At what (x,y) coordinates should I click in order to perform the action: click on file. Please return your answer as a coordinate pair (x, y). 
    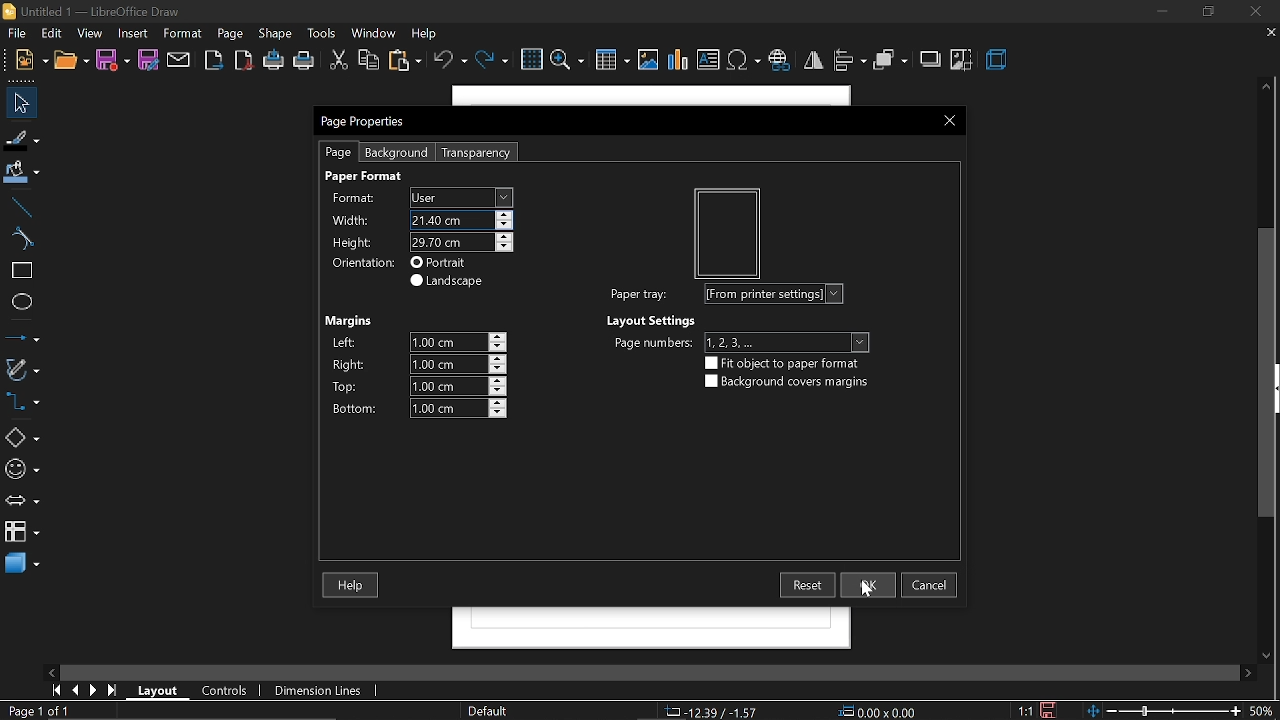
    Looking at the image, I should click on (31, 61).